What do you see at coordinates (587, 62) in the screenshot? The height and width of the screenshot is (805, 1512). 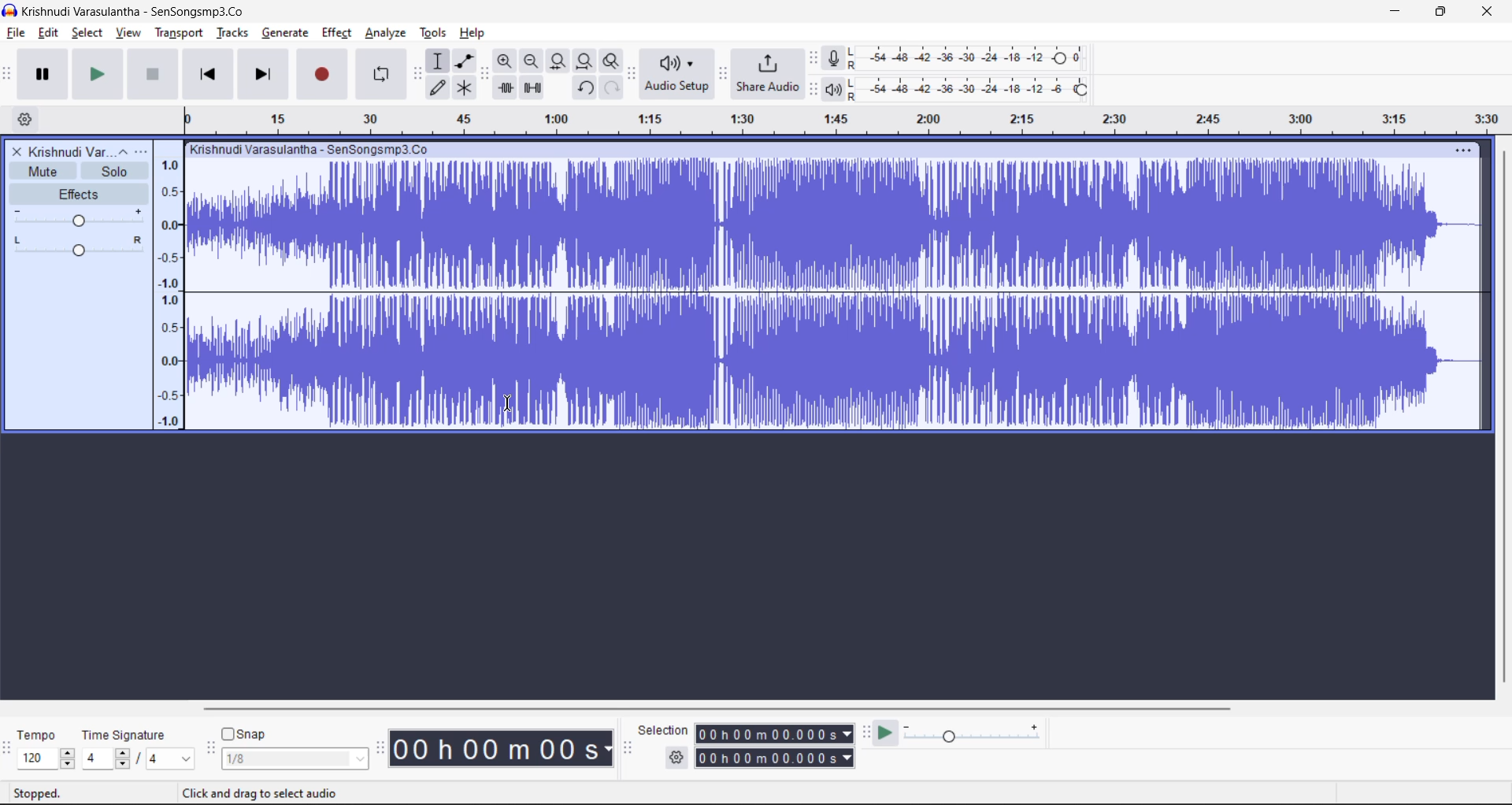 I see `fit project to width` at bounding box center [587, 62].